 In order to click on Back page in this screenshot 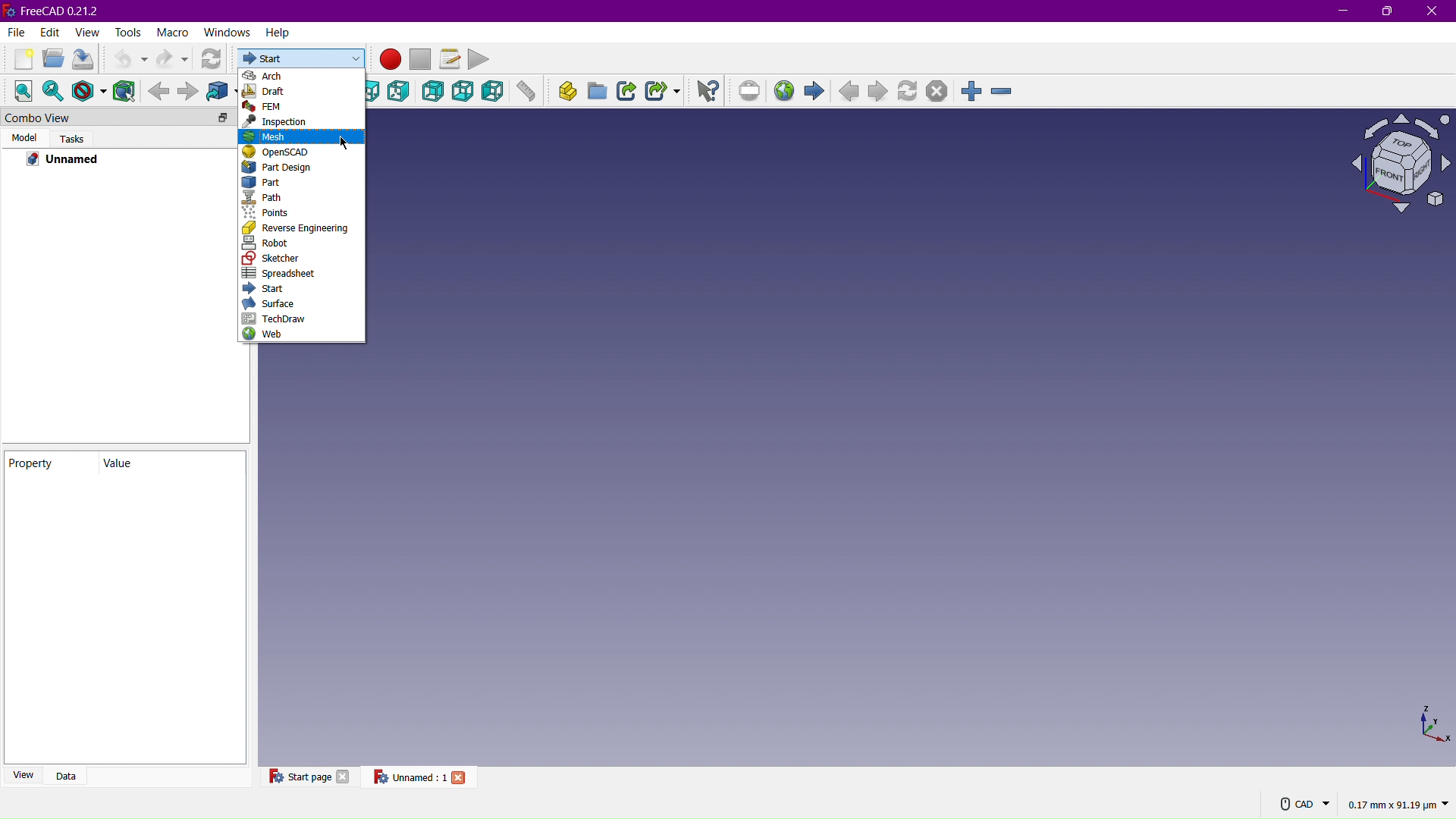, I will do `click(851, 93)`.